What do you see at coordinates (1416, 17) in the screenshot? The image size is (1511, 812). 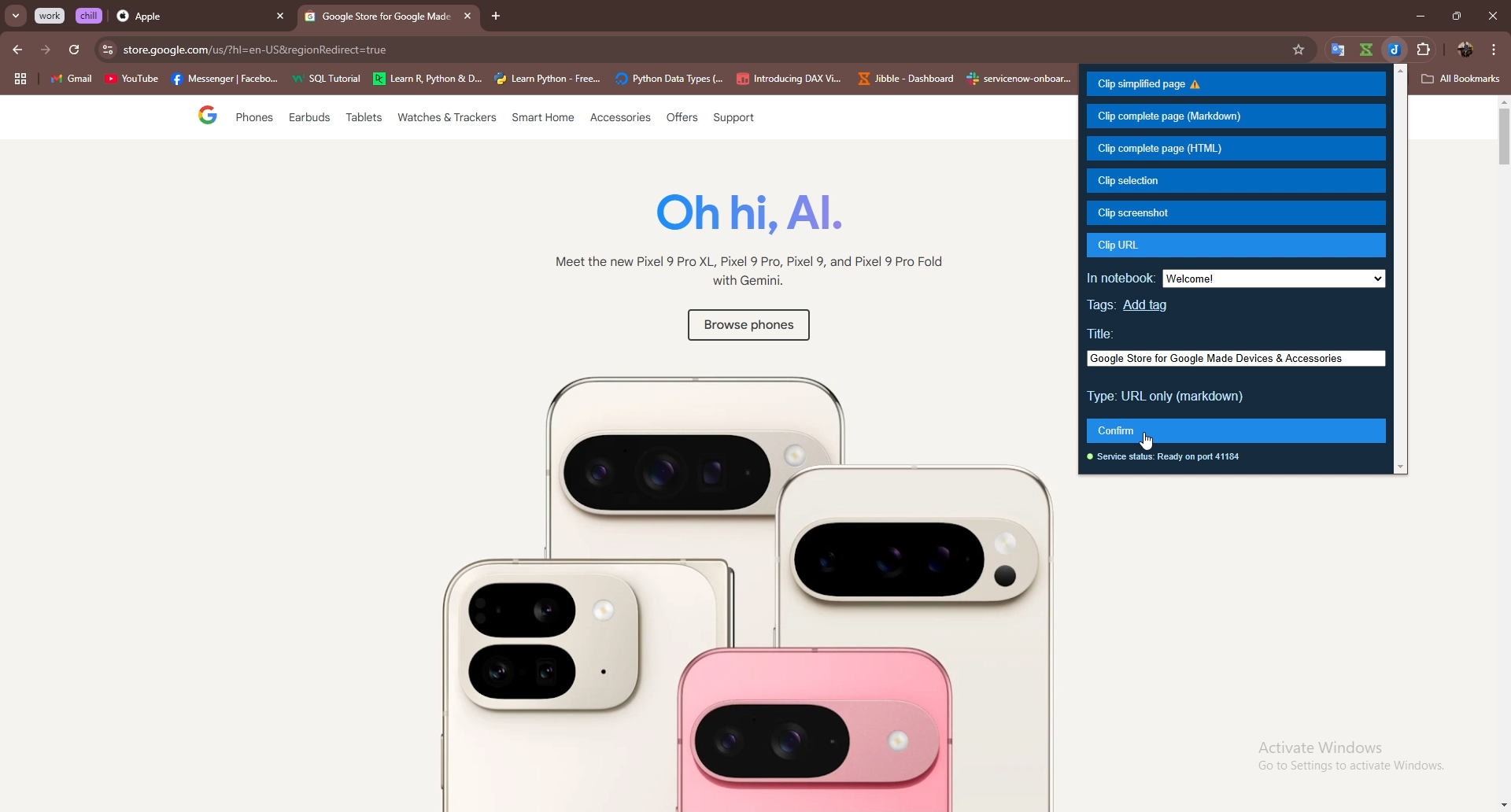 I see `minimize` at bounding box center [1416, 17].